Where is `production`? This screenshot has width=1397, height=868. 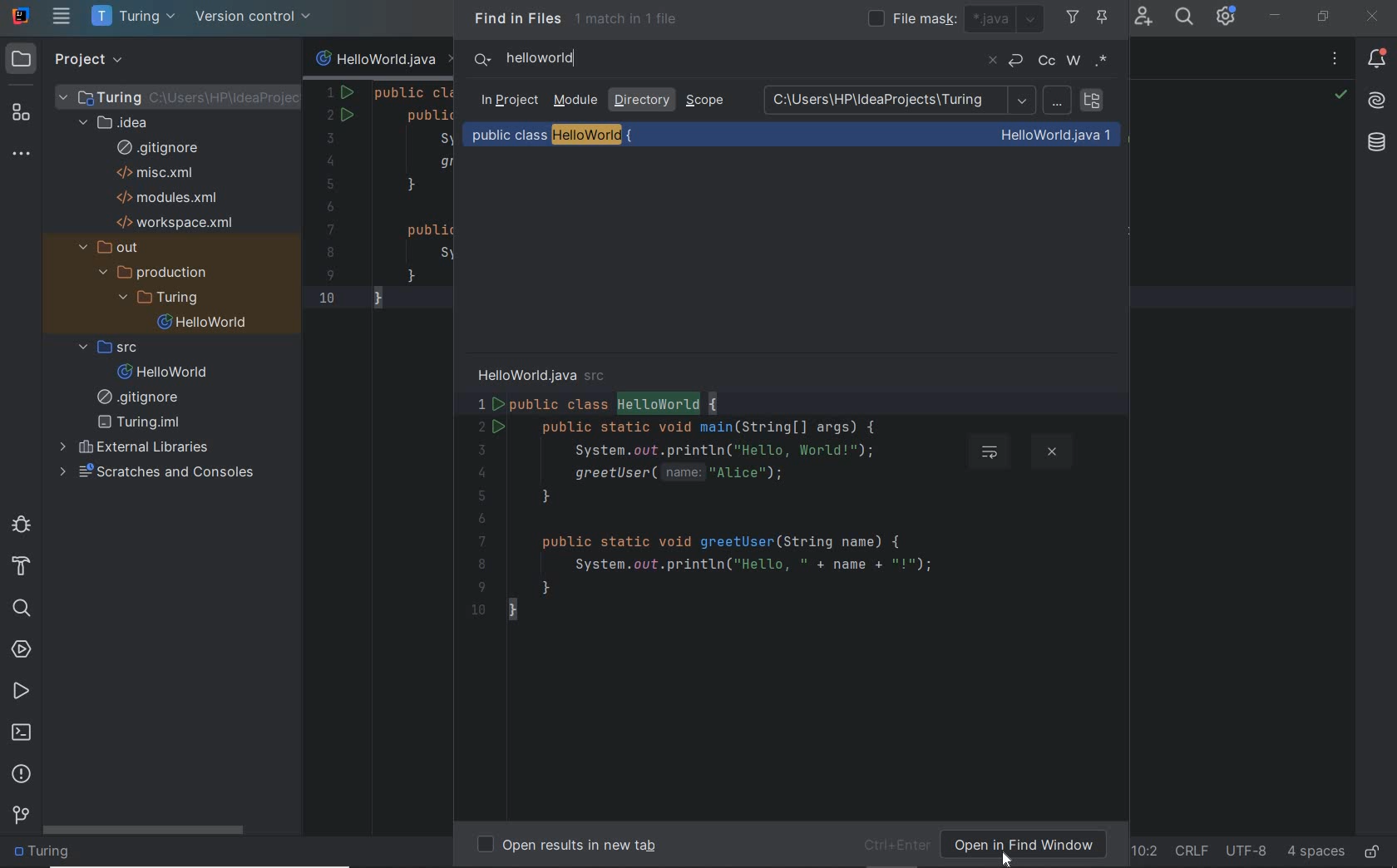 production is located at coordinates (159, 274).